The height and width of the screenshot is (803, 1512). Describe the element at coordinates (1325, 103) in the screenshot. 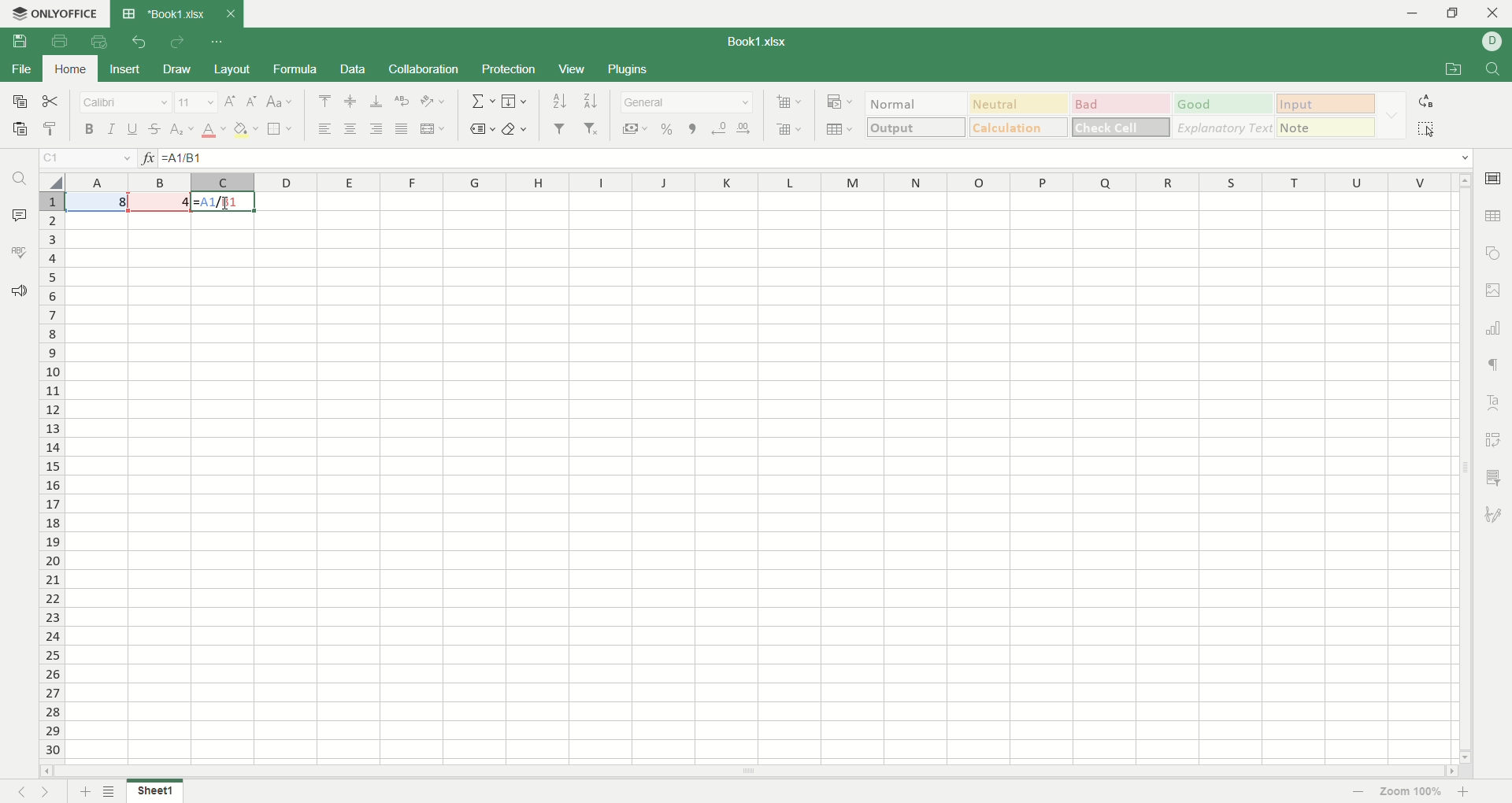

I see `input` at that location.